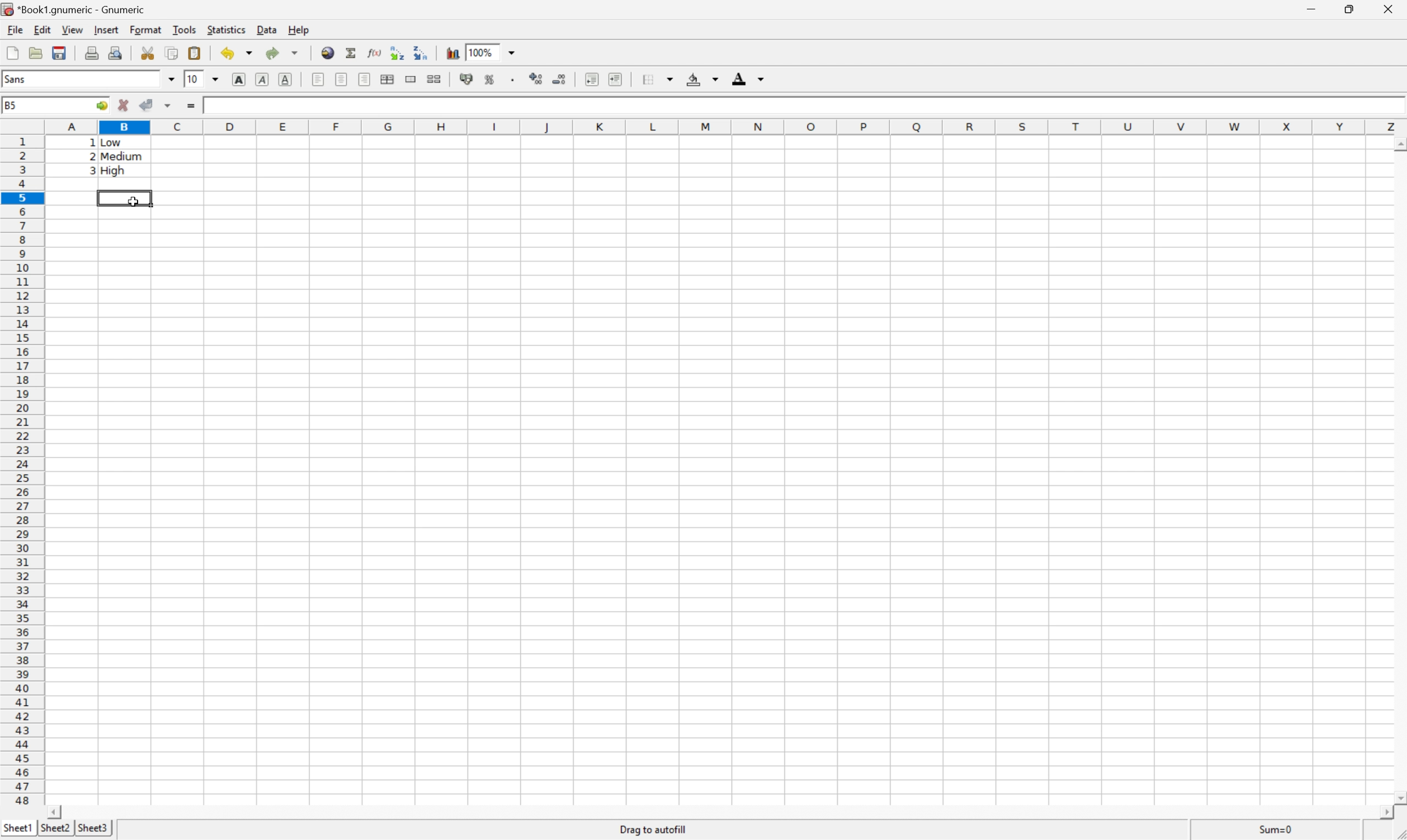  I want to click on Help, so click(298, 31).